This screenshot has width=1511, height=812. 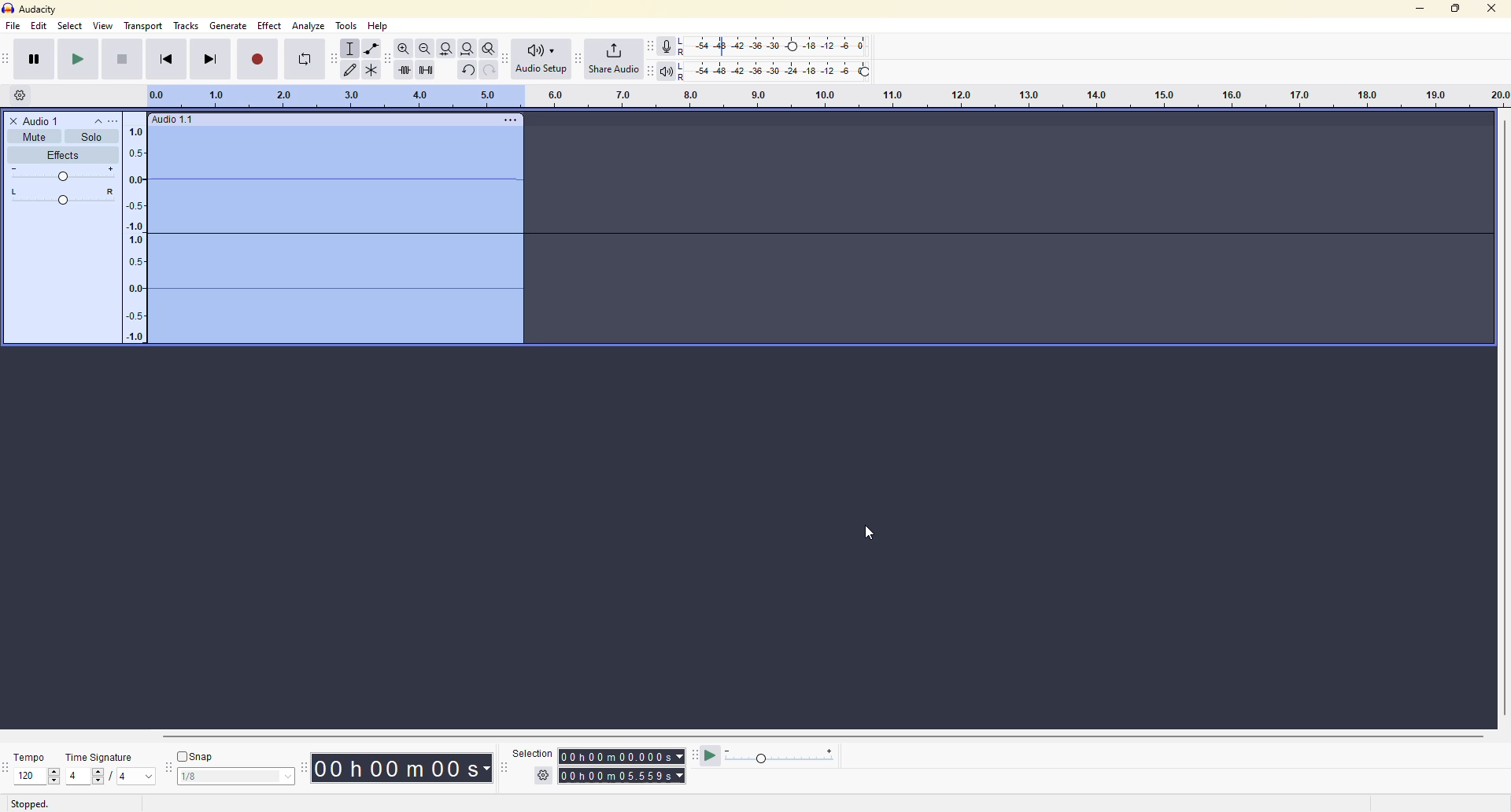 I want to click on tempo, so click(x=33, y=756).